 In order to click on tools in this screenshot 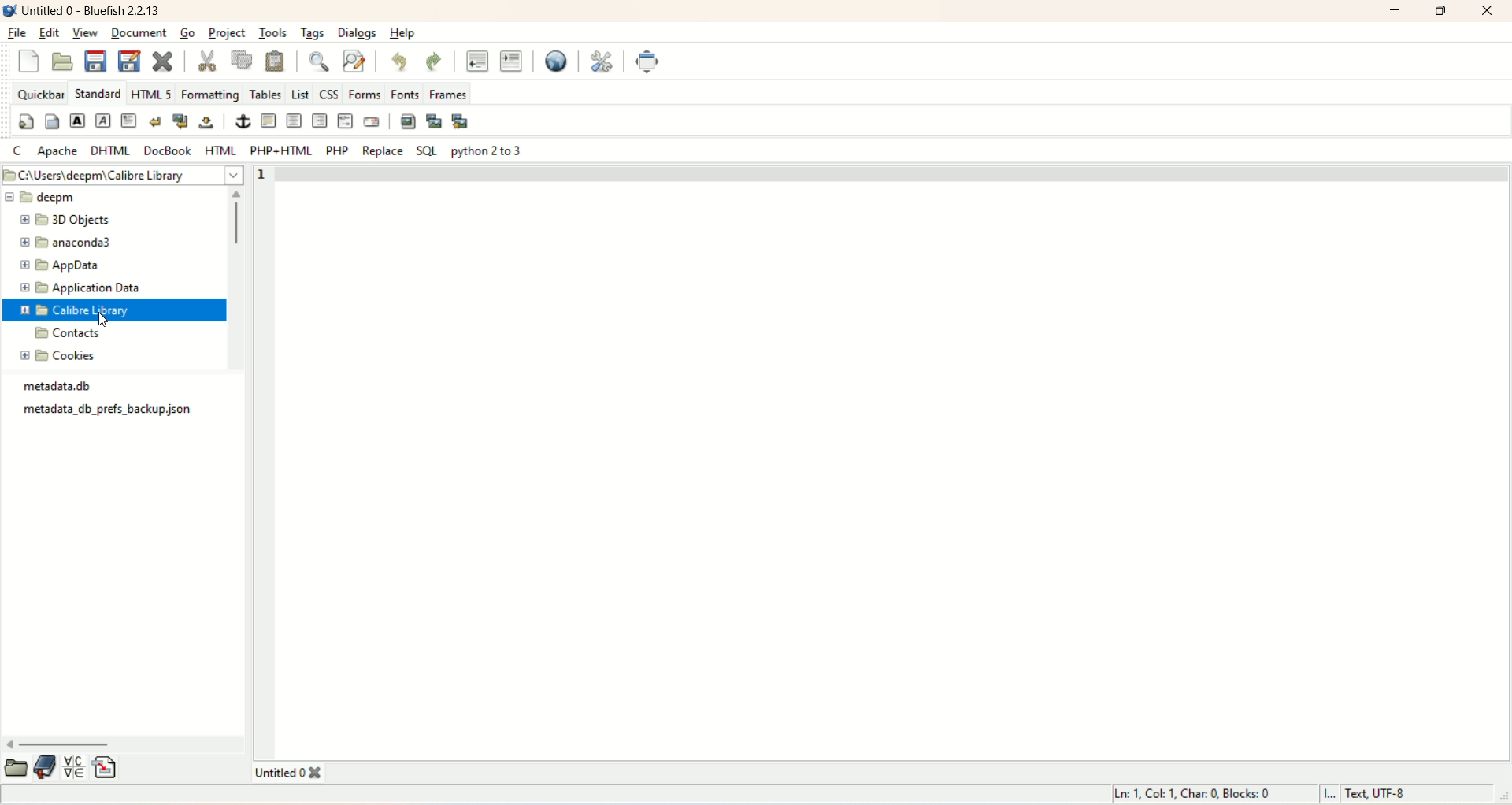, I will do `click(272, 32)`.